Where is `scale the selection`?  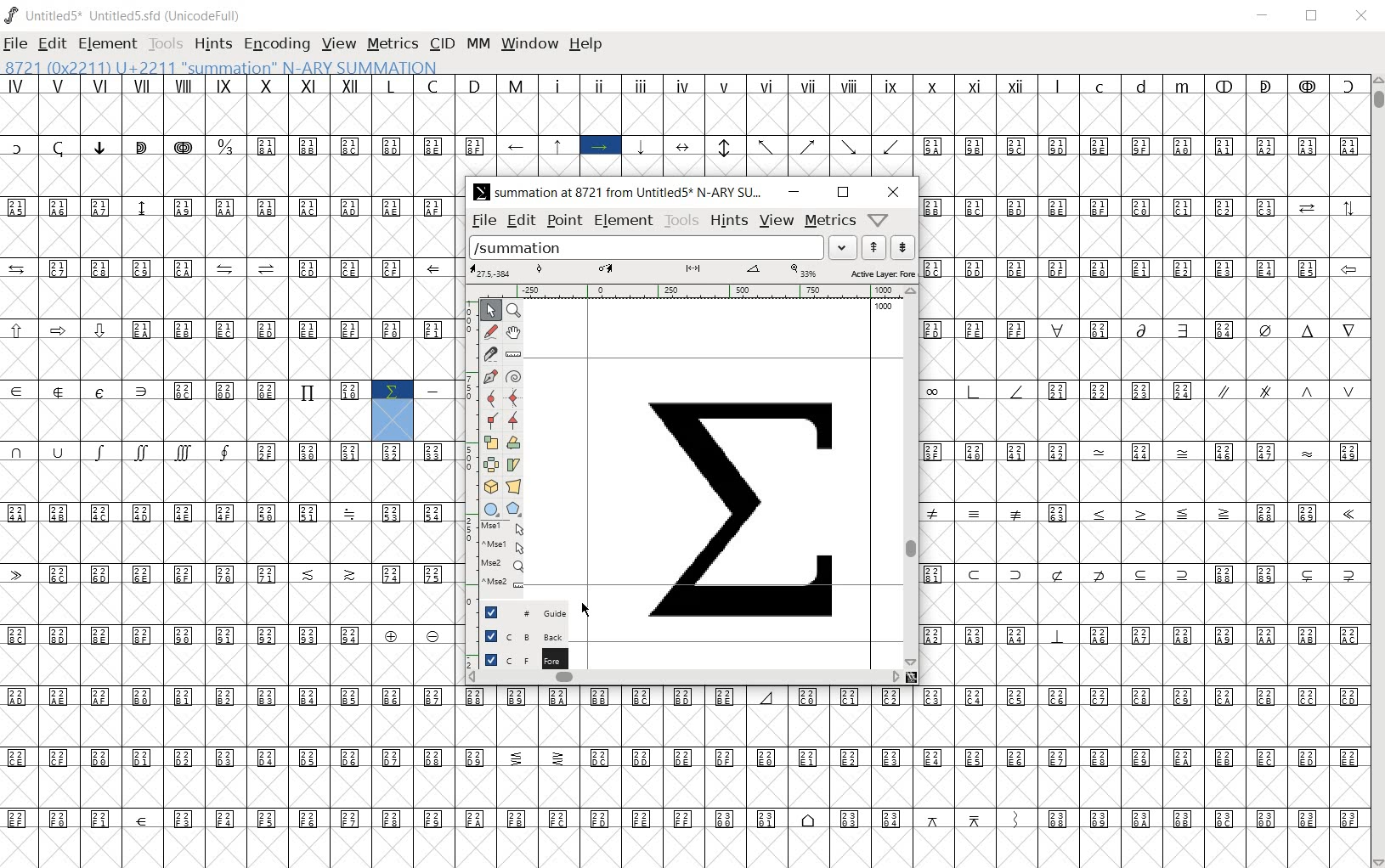
scale the selection is located at coordinates (491, 442).